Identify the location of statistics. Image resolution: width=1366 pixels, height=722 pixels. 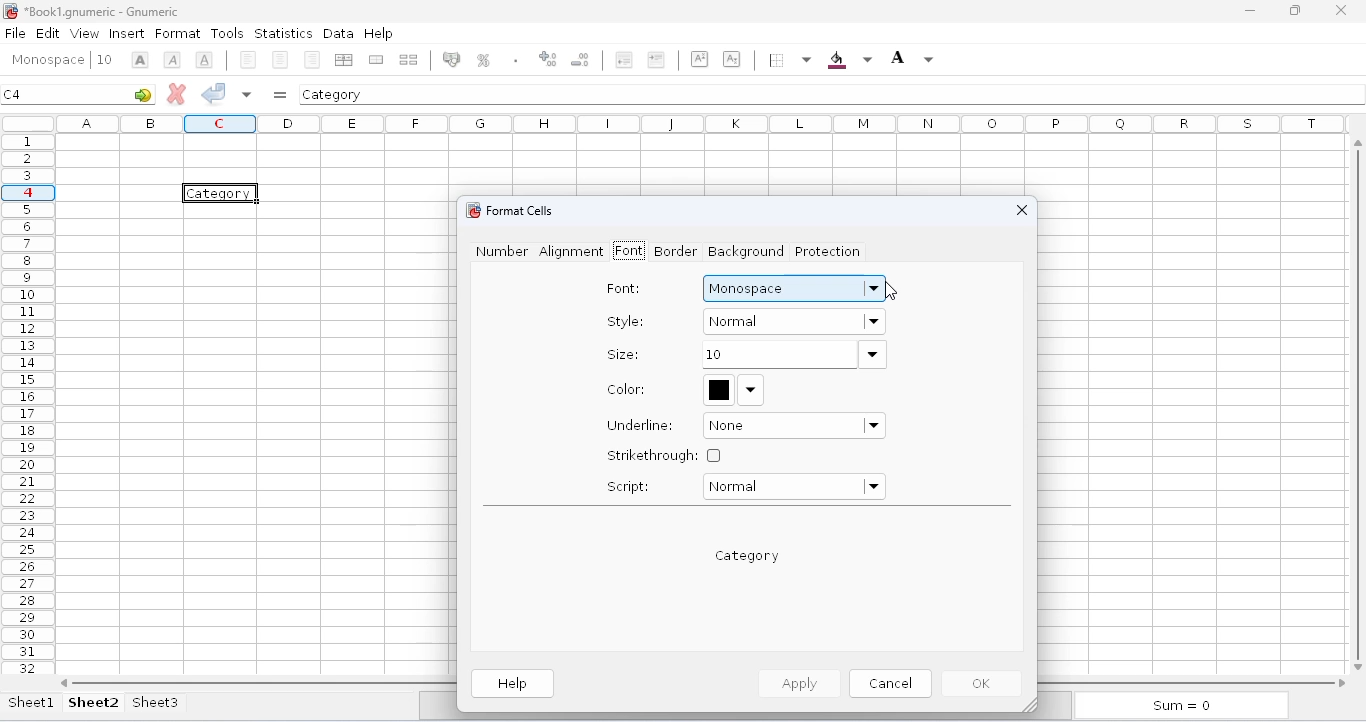
(283, 34).